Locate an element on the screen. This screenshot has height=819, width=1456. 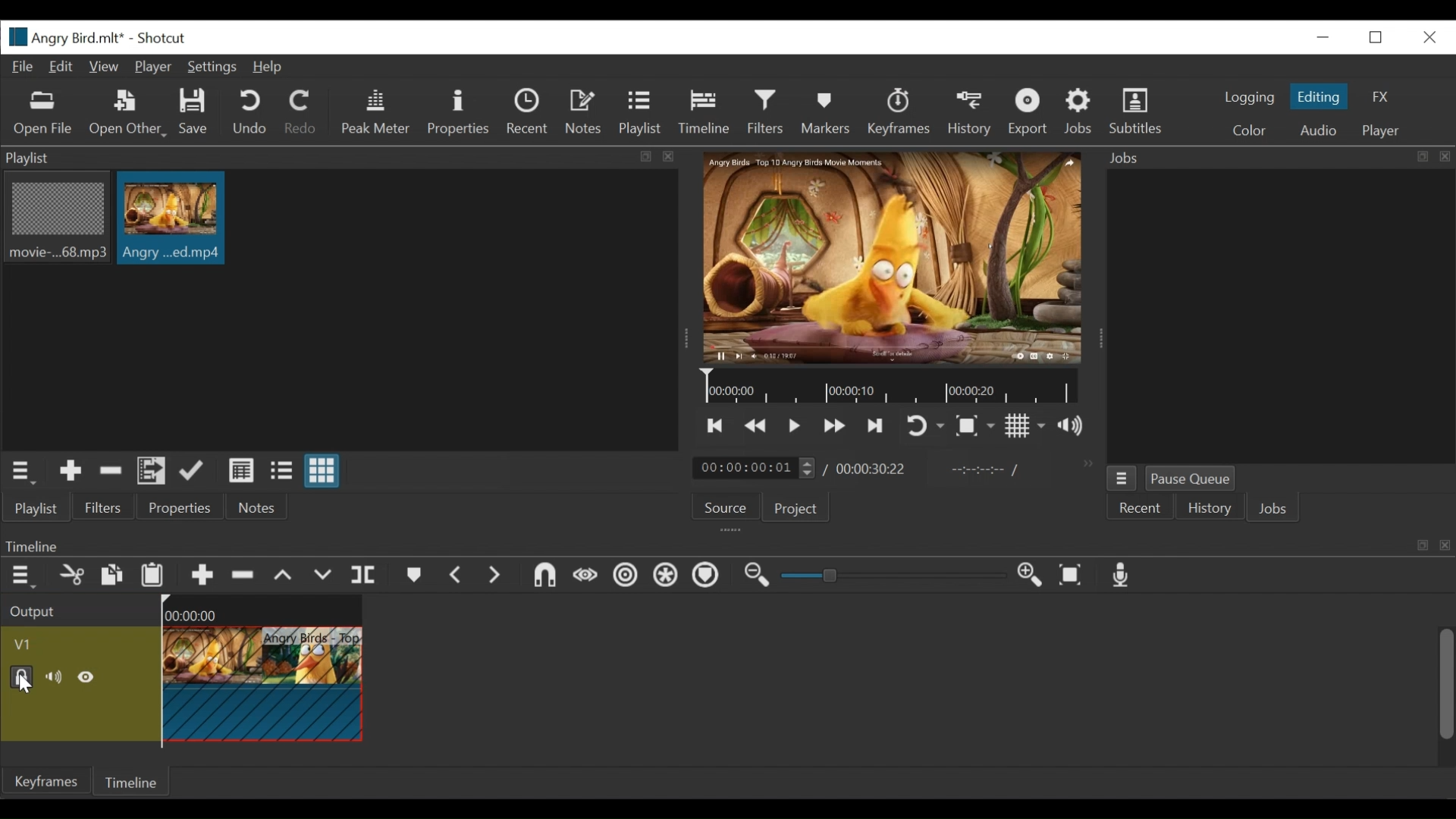
Editing is located at coordinates (1319, 96).